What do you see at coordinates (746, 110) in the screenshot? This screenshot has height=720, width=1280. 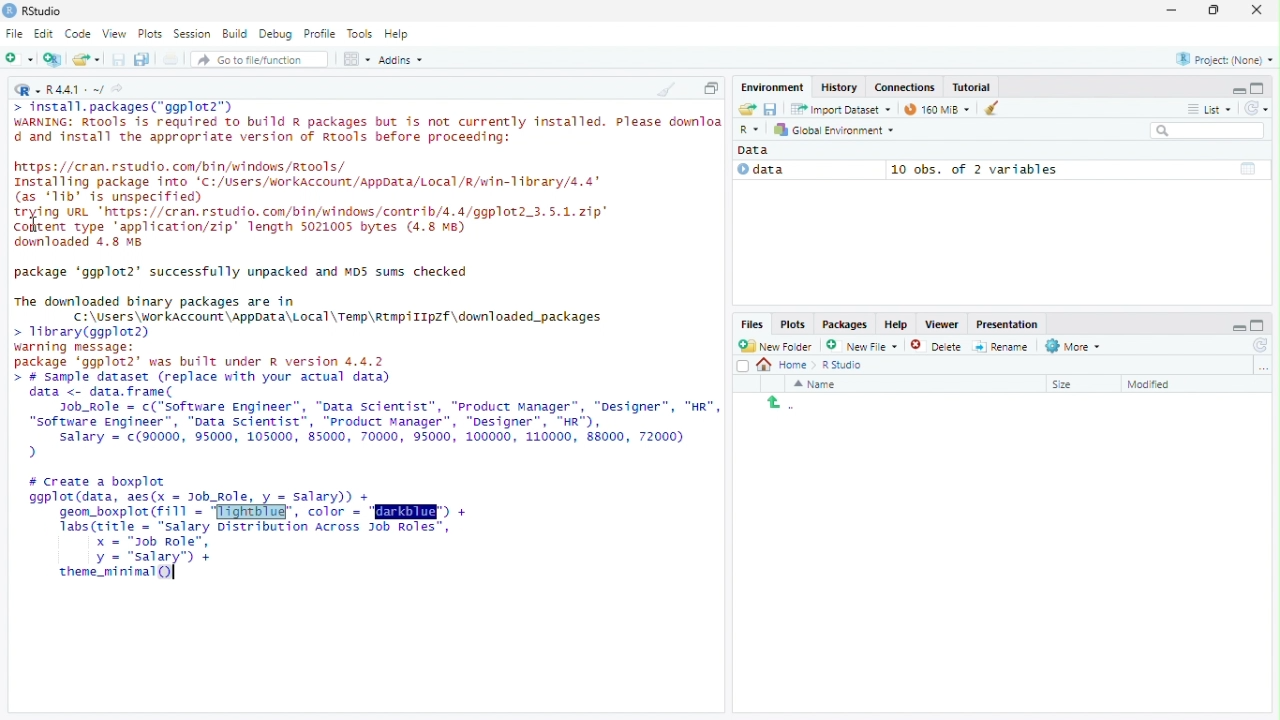 I see `load workspace` at bounding box center [746, 110].